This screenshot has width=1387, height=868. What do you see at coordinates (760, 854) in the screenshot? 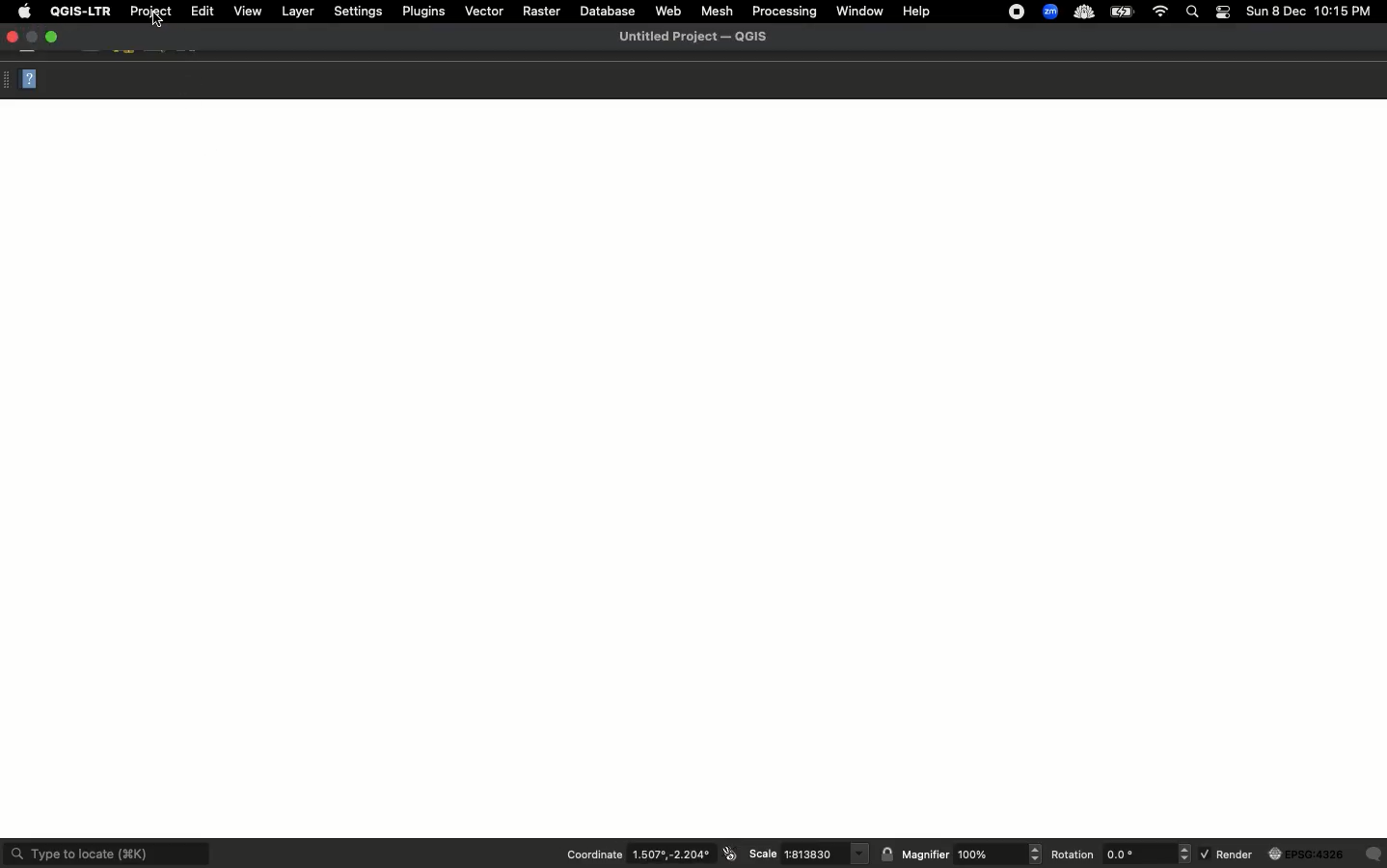
I see `Scale` at bounding box center [760, 854].